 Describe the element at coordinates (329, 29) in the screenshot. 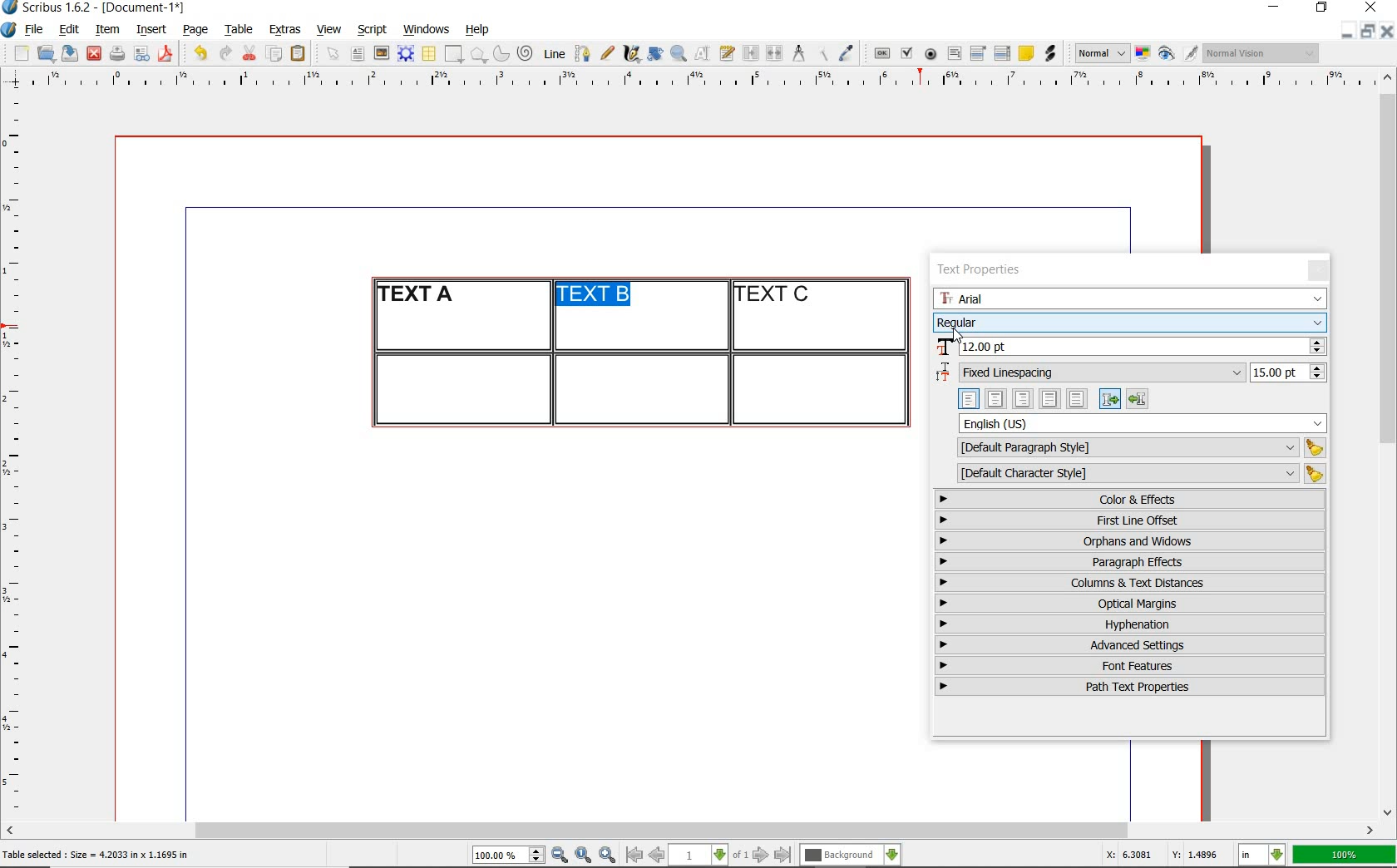

I see `view` at that location.